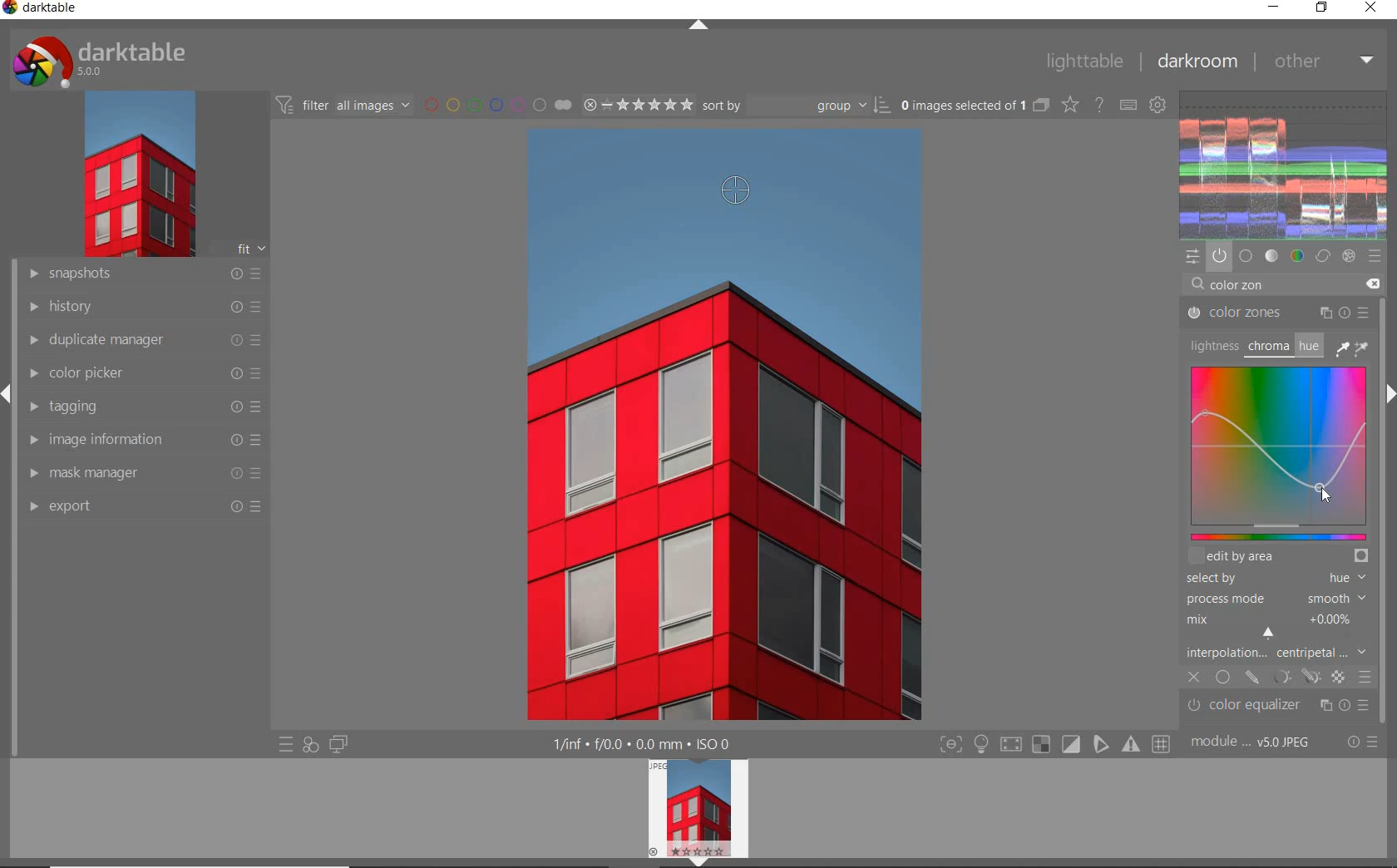 This screenshot has width=1397, height=868. What do you see at coordinates (1323, 257) in the screenshot?
I see `correct` at bounding box center [1323, 257].